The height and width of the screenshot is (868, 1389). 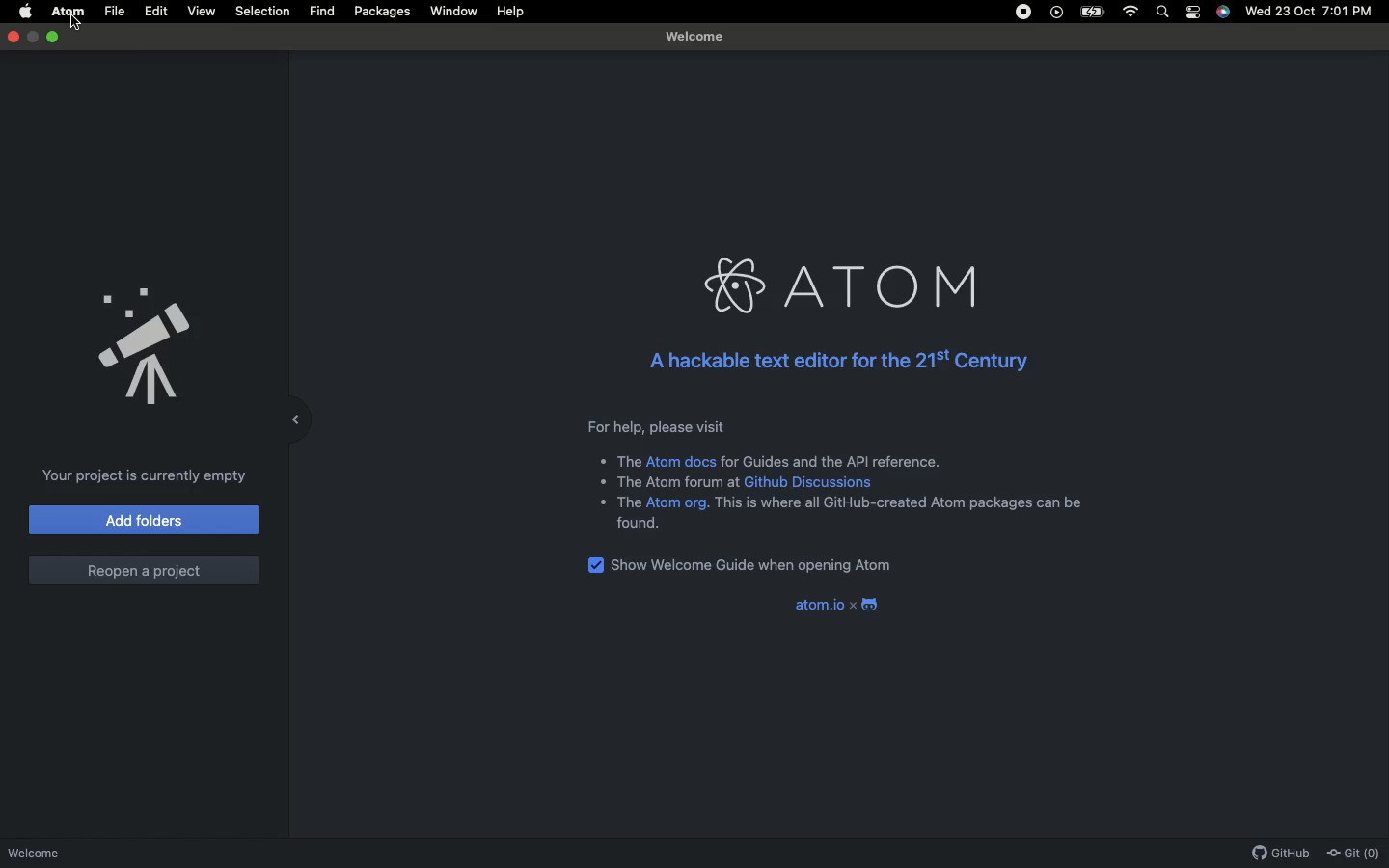 I want to click on The Atom docs for guides and the API reference, so click(x=772, y=463).